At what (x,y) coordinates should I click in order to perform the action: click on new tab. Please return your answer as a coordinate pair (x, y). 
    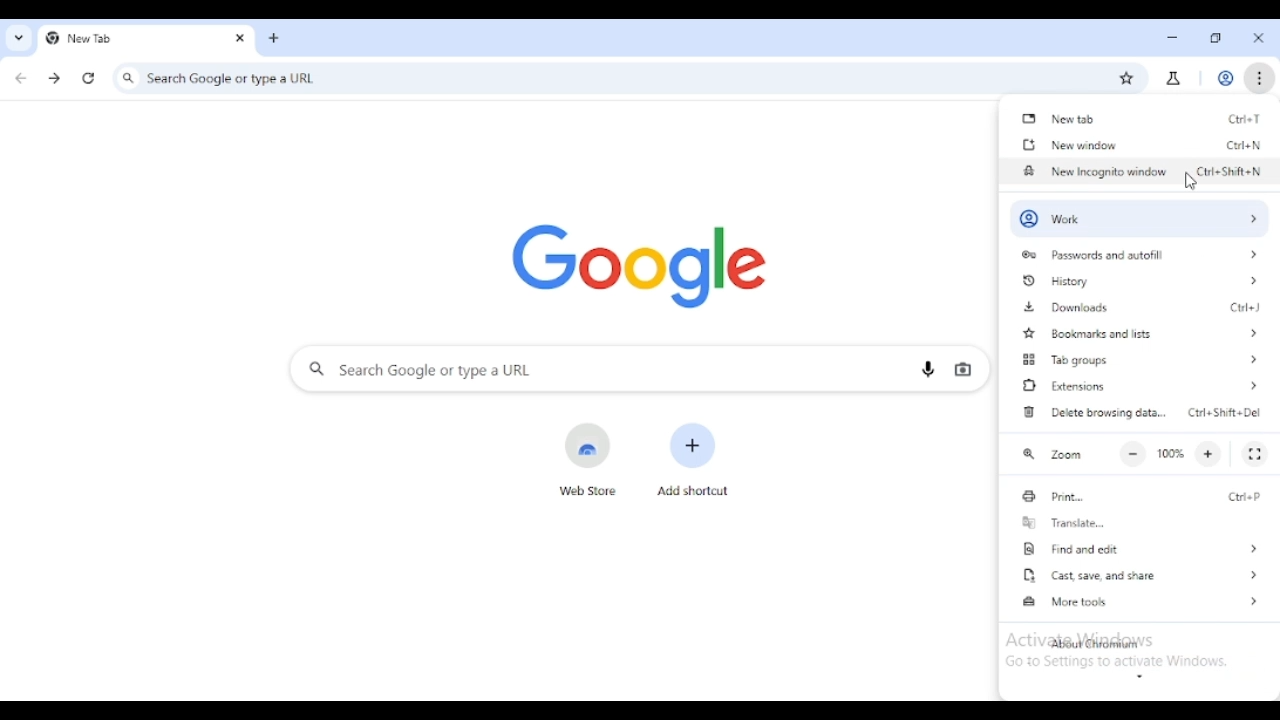
    Looking at the image, I should click on (1060, 120).